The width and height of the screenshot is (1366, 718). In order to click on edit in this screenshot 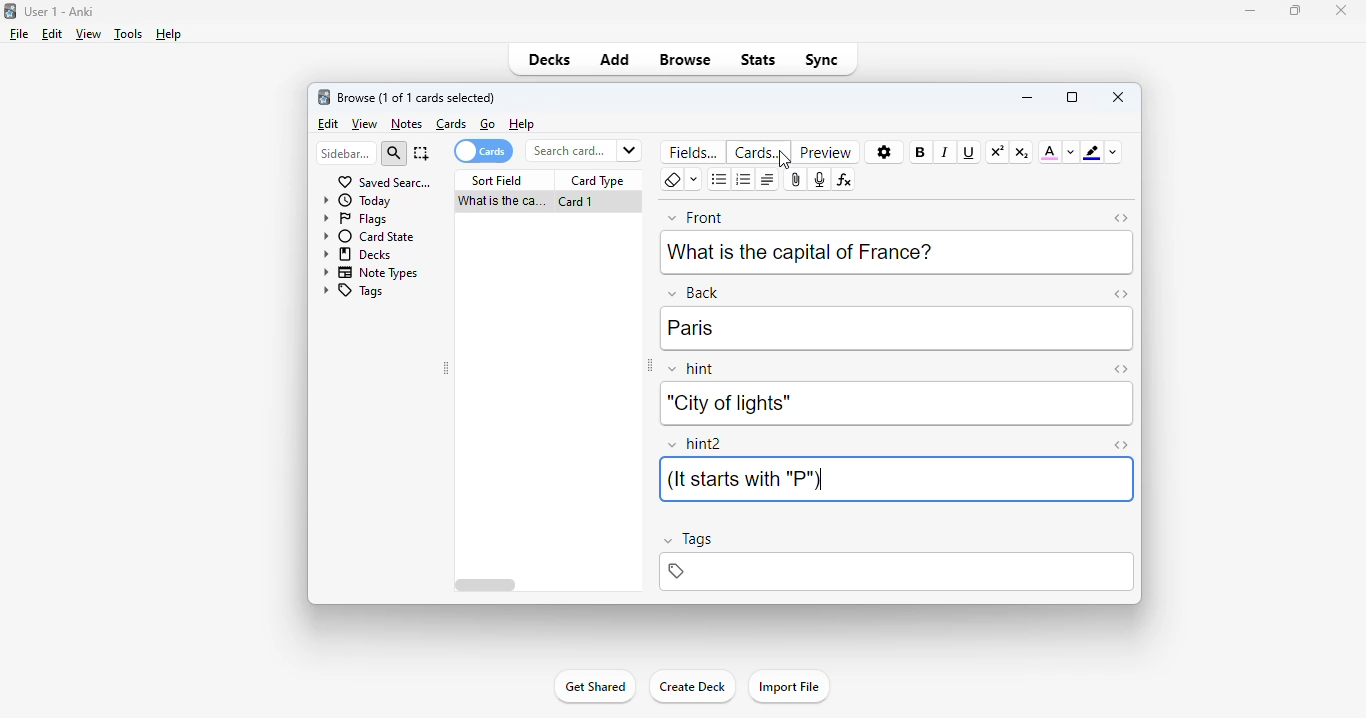, I will do `click(52, 34)`.